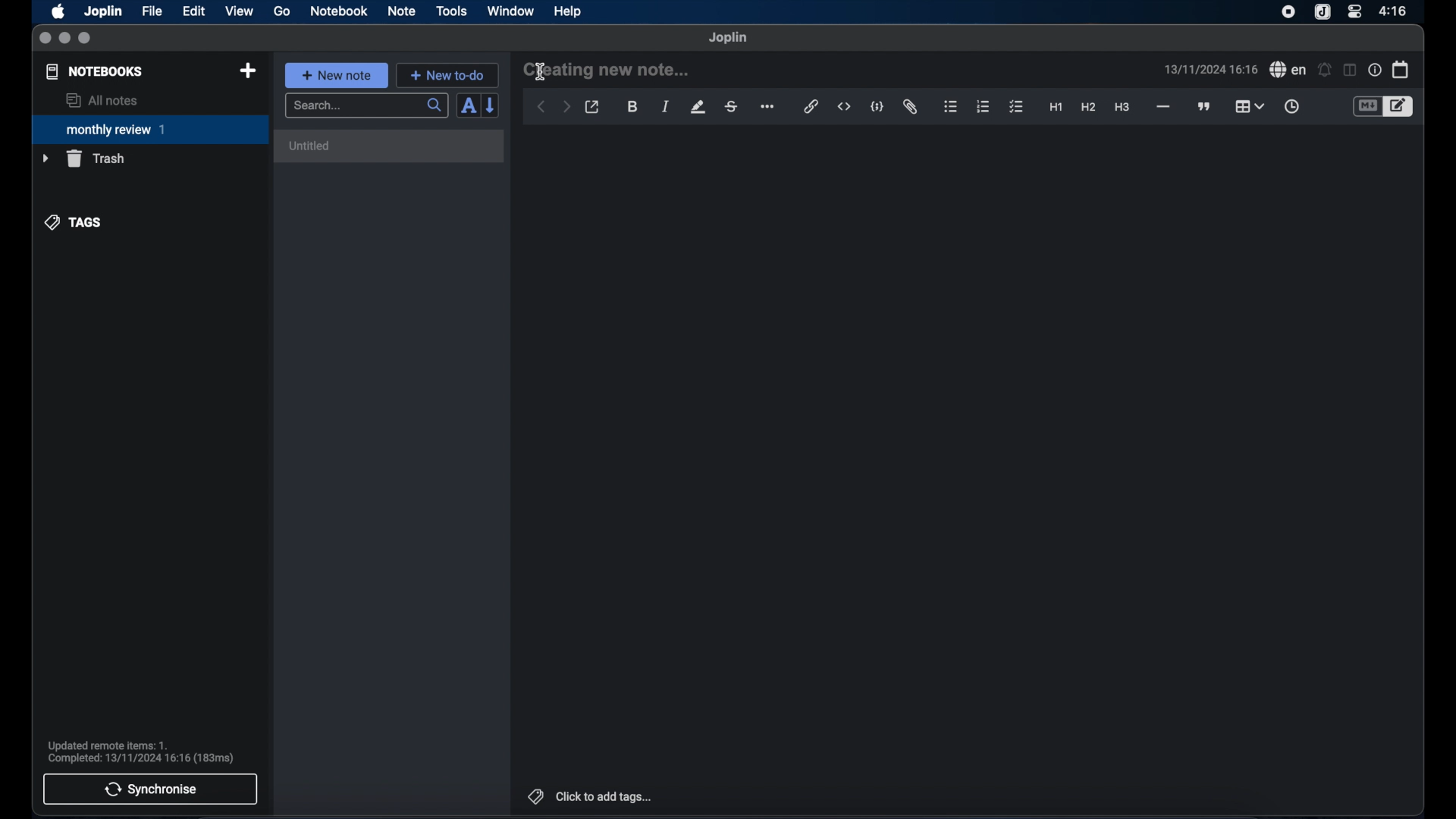 The width and height of the screenshot is (1456, 819). What do you see at coordinates (141, 752) in the screenshot?
I see `sync notification` at bounding box center [141, 752].